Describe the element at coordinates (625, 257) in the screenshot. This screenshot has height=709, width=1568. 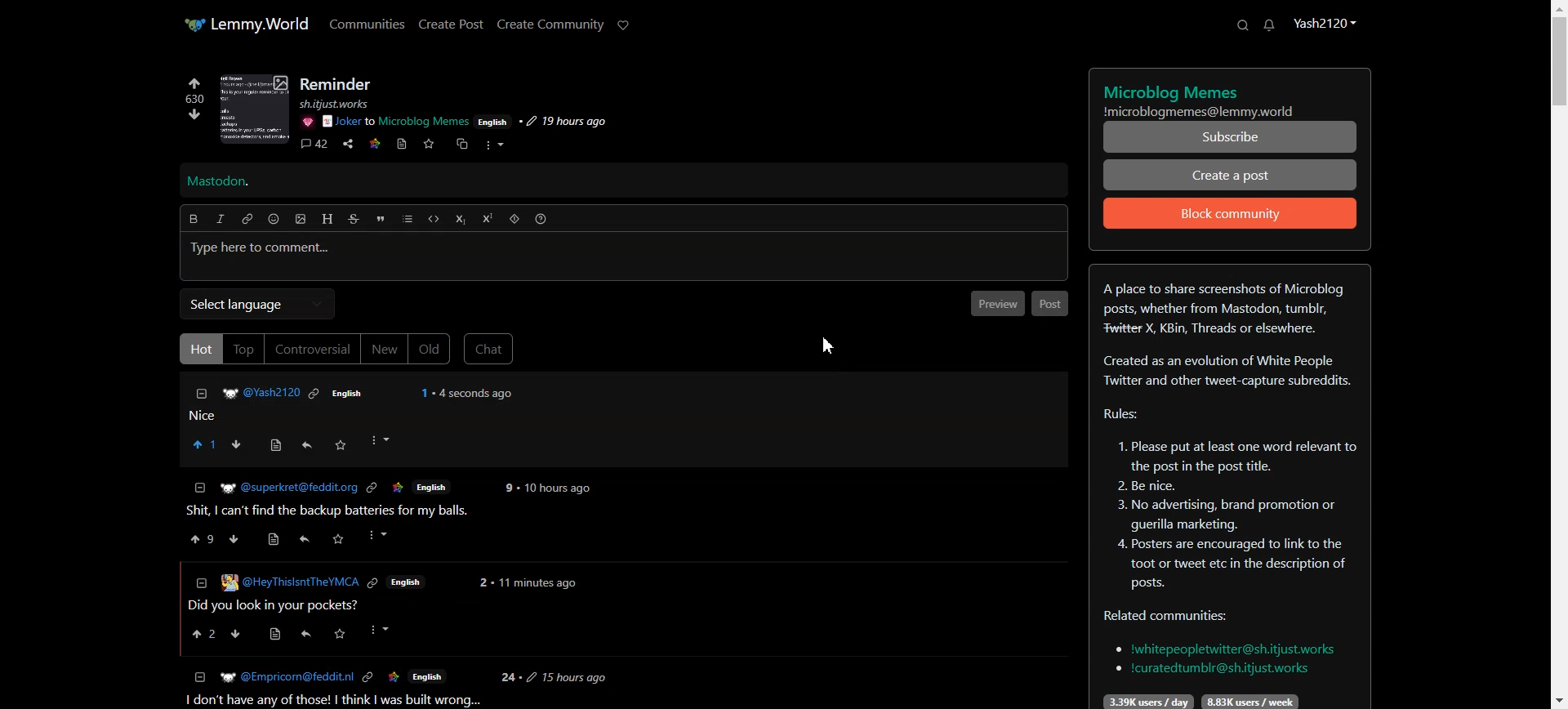
I see `Type here to comment...` at that location.